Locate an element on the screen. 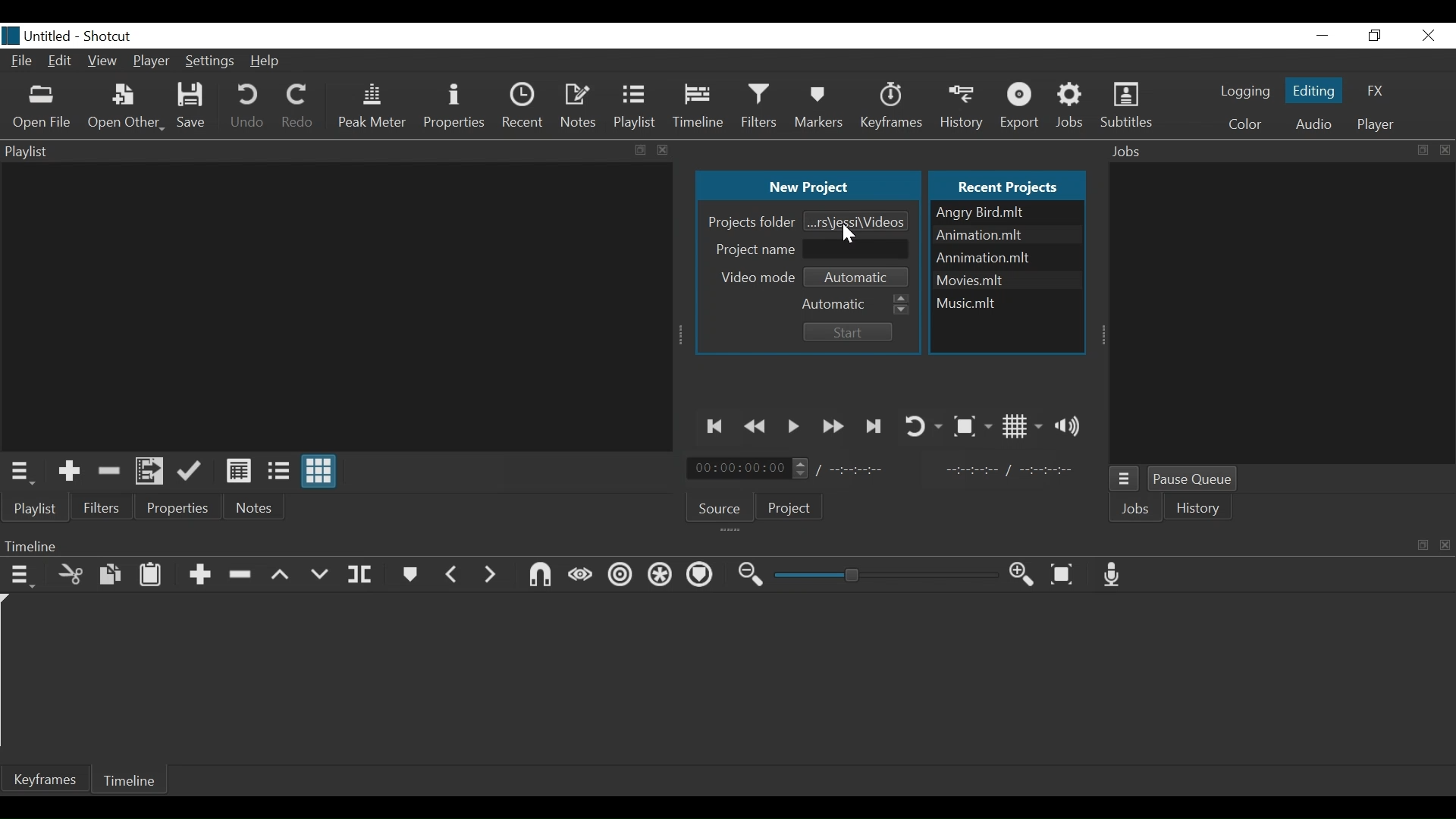  File name is located at coordinates (1006, 300).